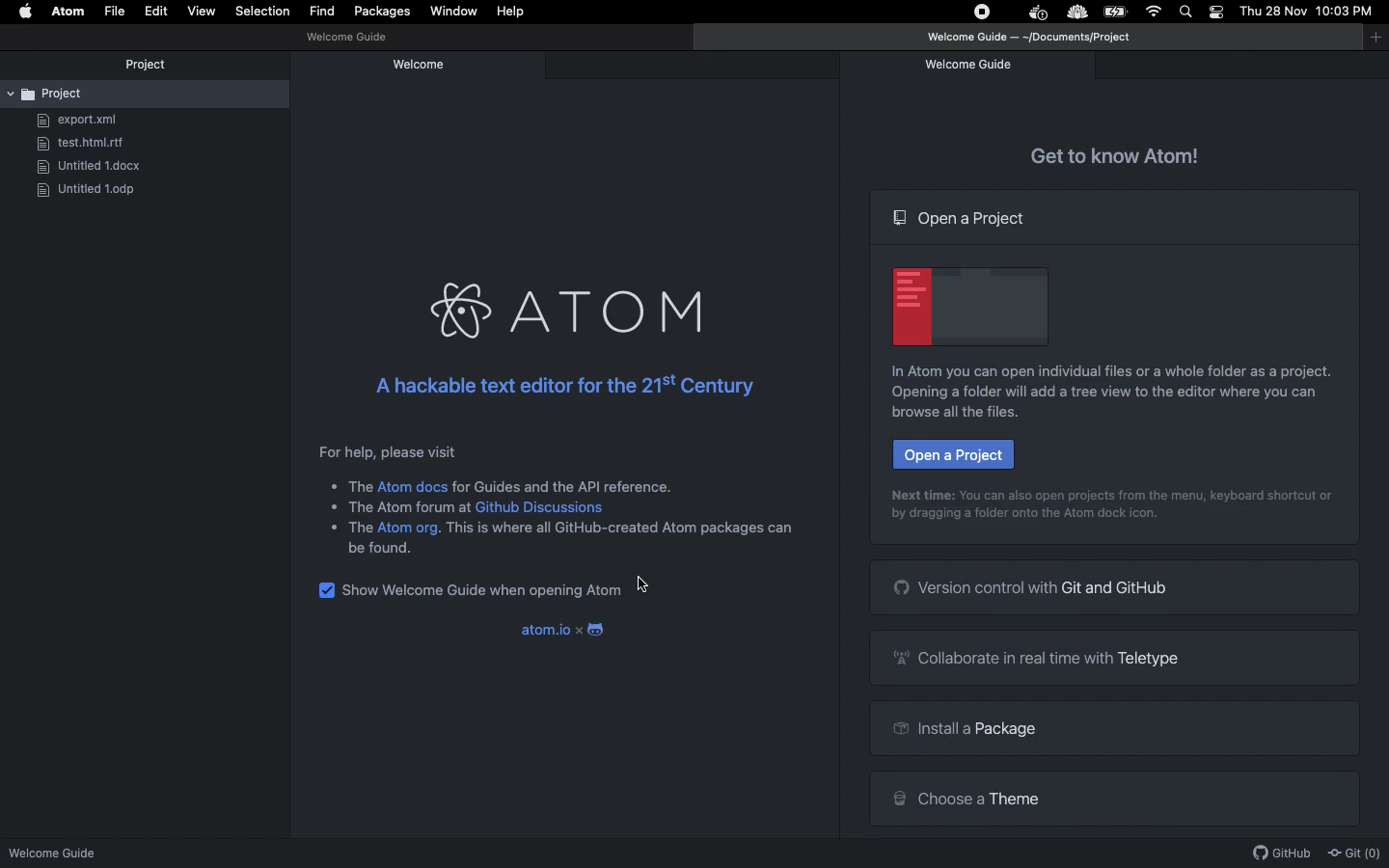  Describe the element at coordinates (69, 12) in the screenshot. I see `Atom` at that location.